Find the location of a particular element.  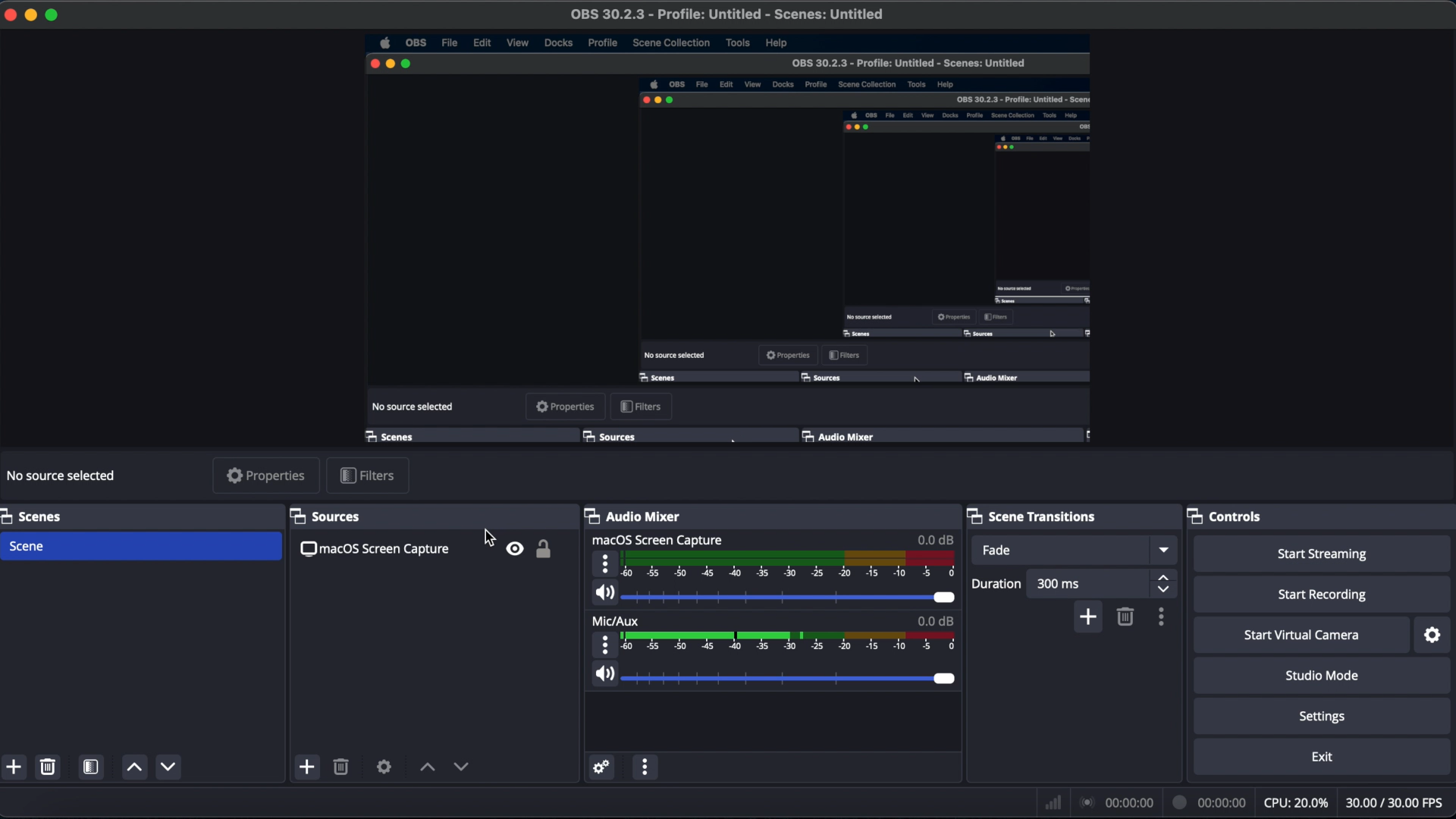

settings is located at coordinates (1326, 717).